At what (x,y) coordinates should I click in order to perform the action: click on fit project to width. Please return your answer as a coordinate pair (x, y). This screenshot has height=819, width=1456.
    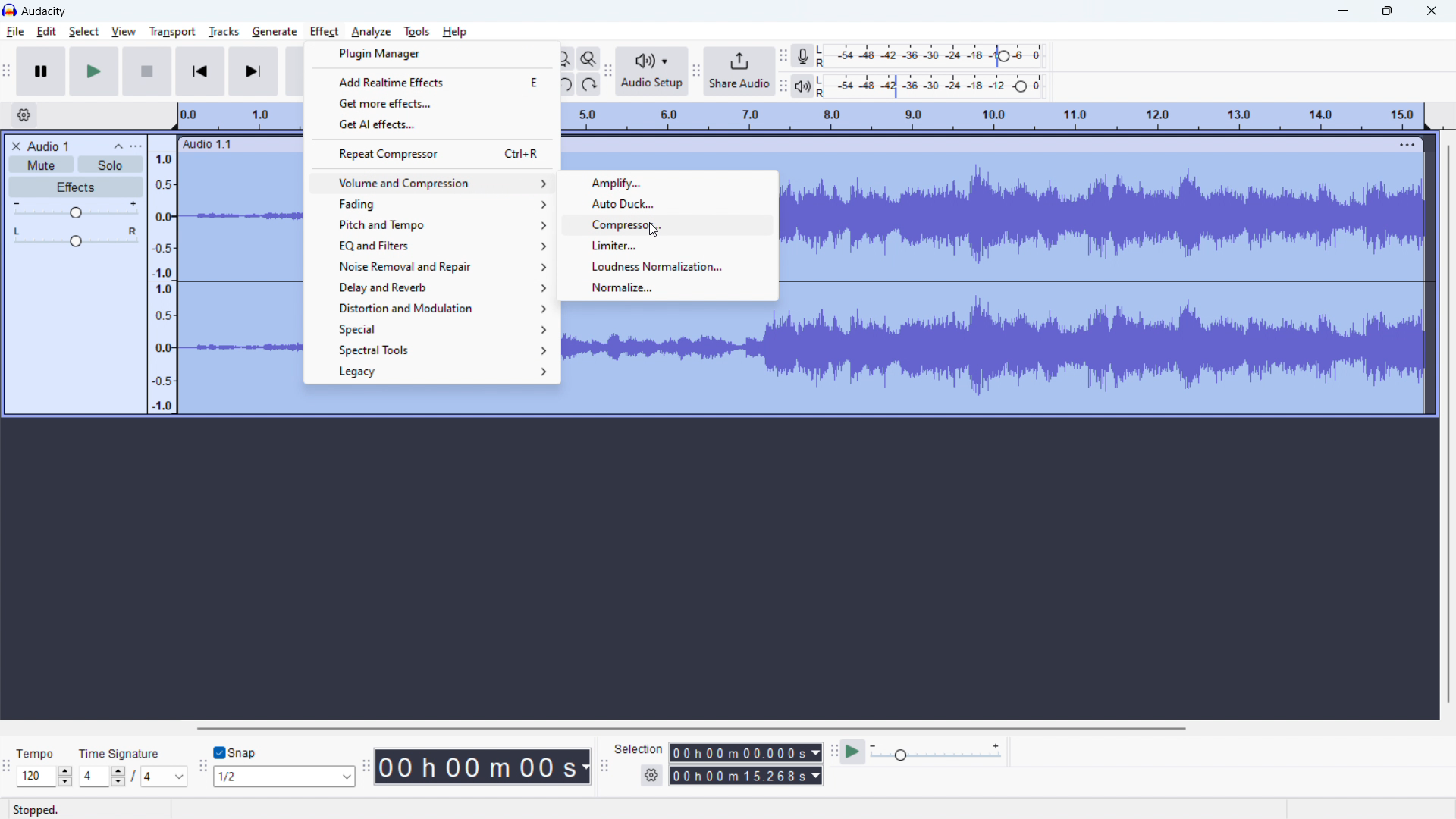
    Looking at the image, I should click on (566, 58).